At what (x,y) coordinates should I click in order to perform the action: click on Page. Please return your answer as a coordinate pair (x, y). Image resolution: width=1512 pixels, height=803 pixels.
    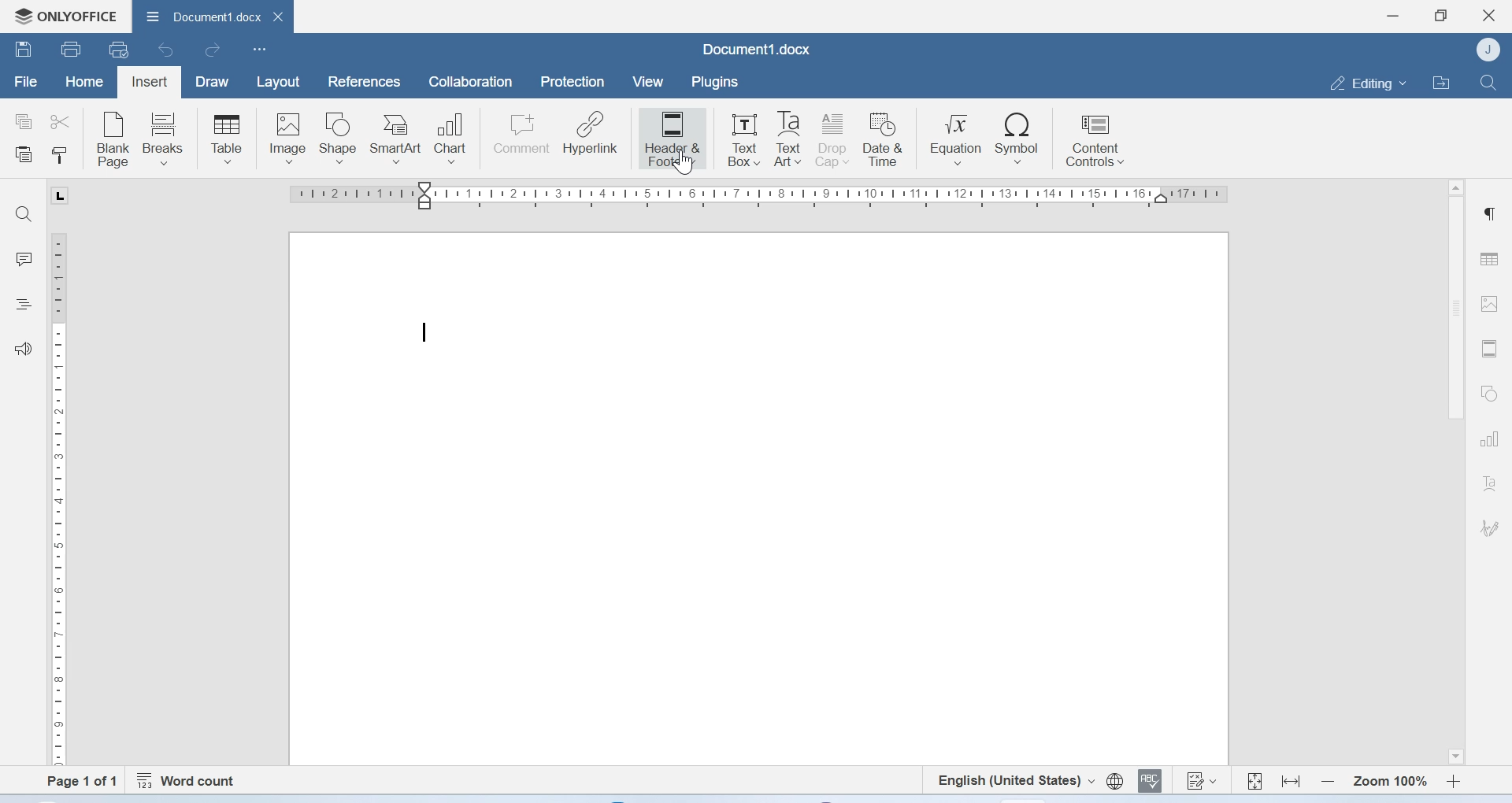
    Looking at the image, I should click on (758, 500).